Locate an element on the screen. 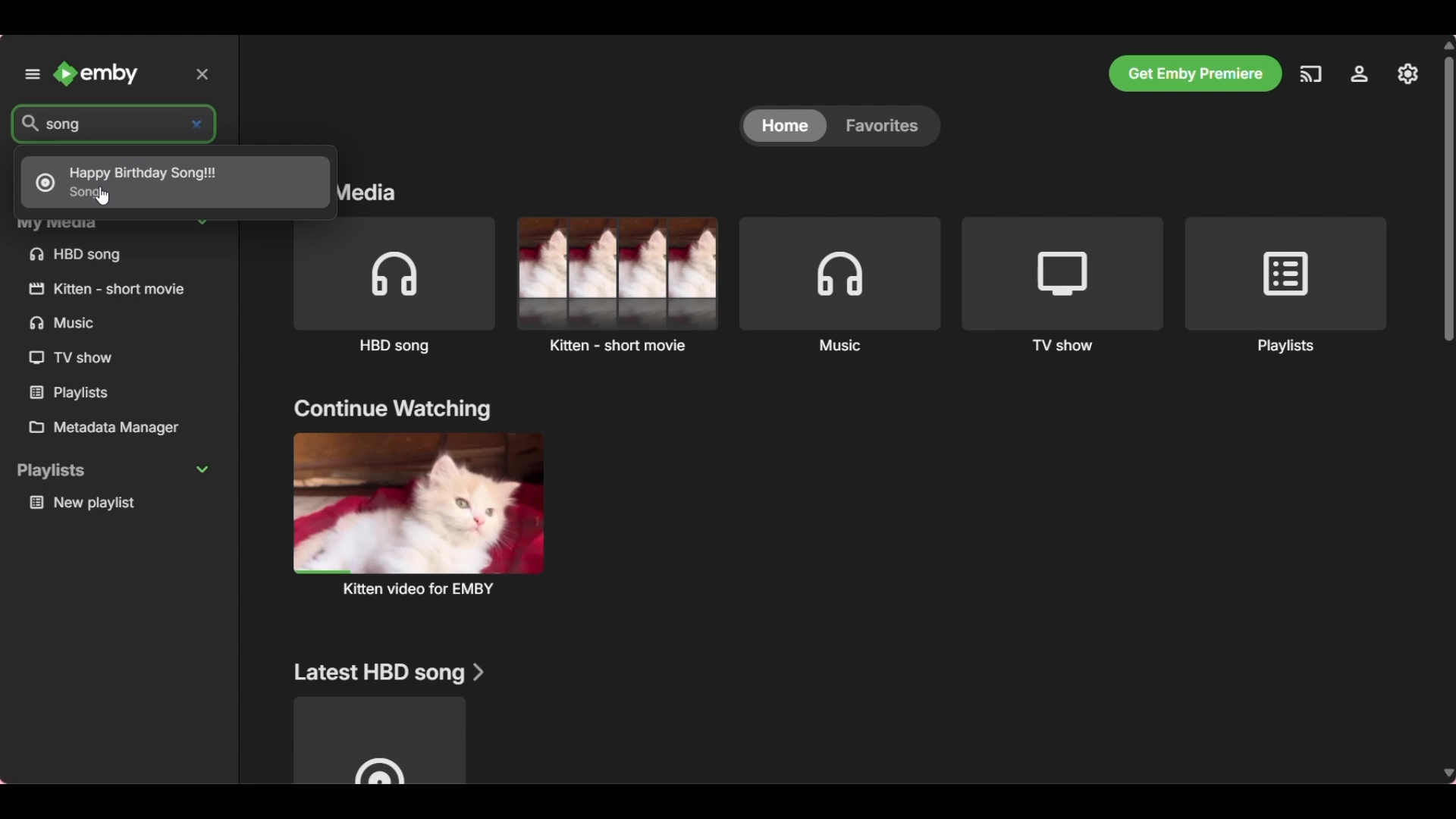 The width and height of the screenshot is (1456, 819). TV show is located at coordinates (1063, 285).